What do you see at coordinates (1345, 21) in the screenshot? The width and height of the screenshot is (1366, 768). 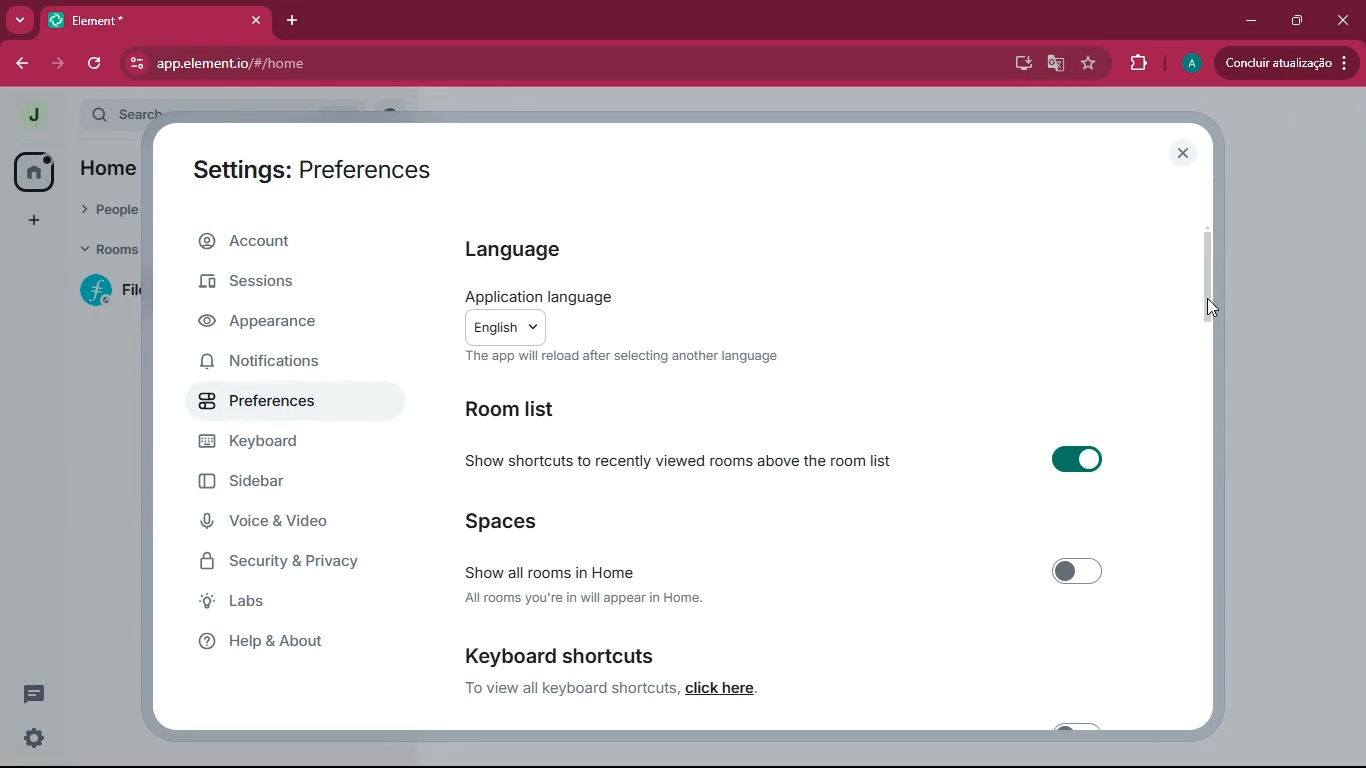 I see `close` at bounding box center [1345, 21].